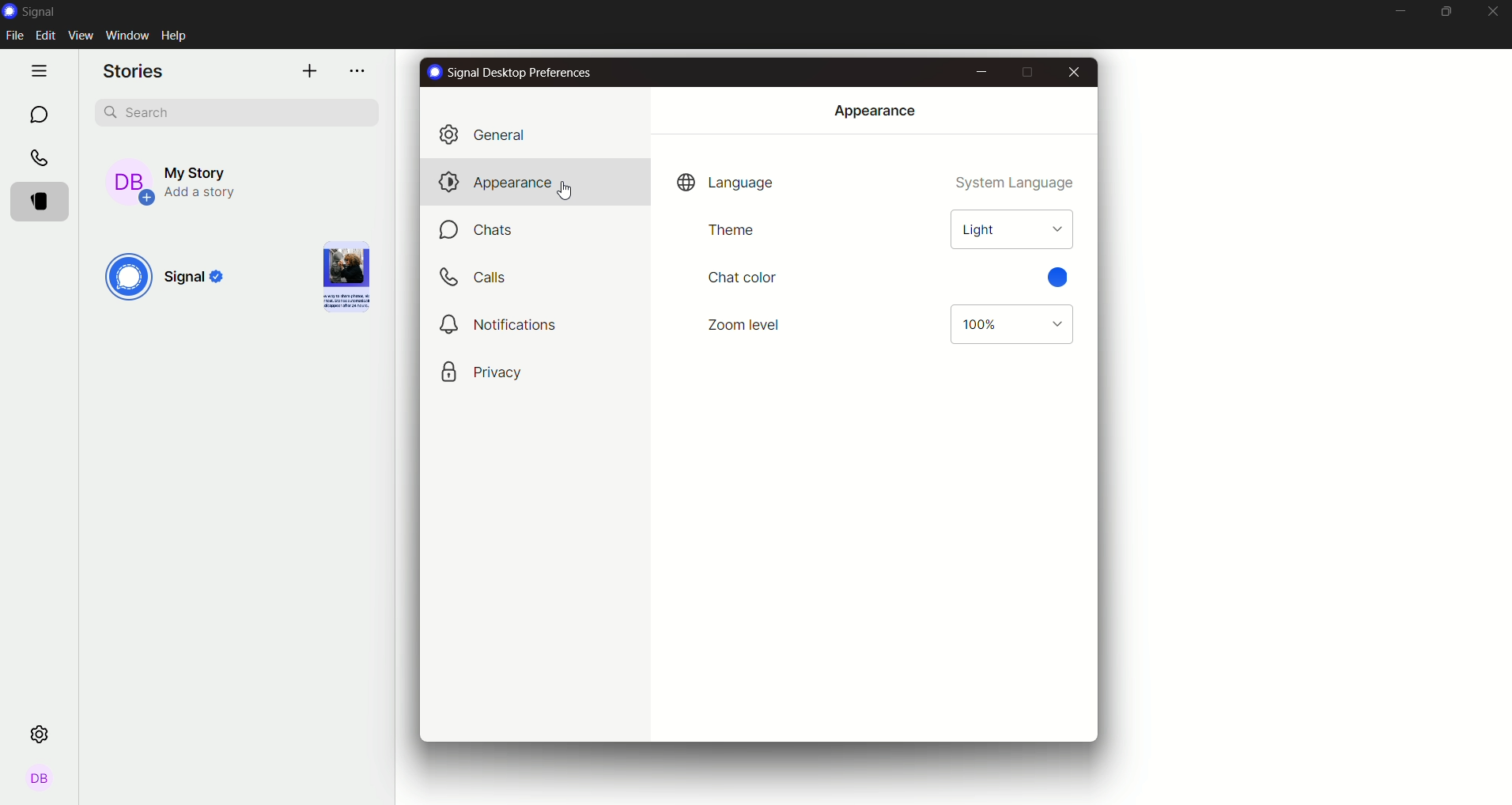  Describe the element at coordinates (1072, 72) in the screenshot. I see `close` at that location.